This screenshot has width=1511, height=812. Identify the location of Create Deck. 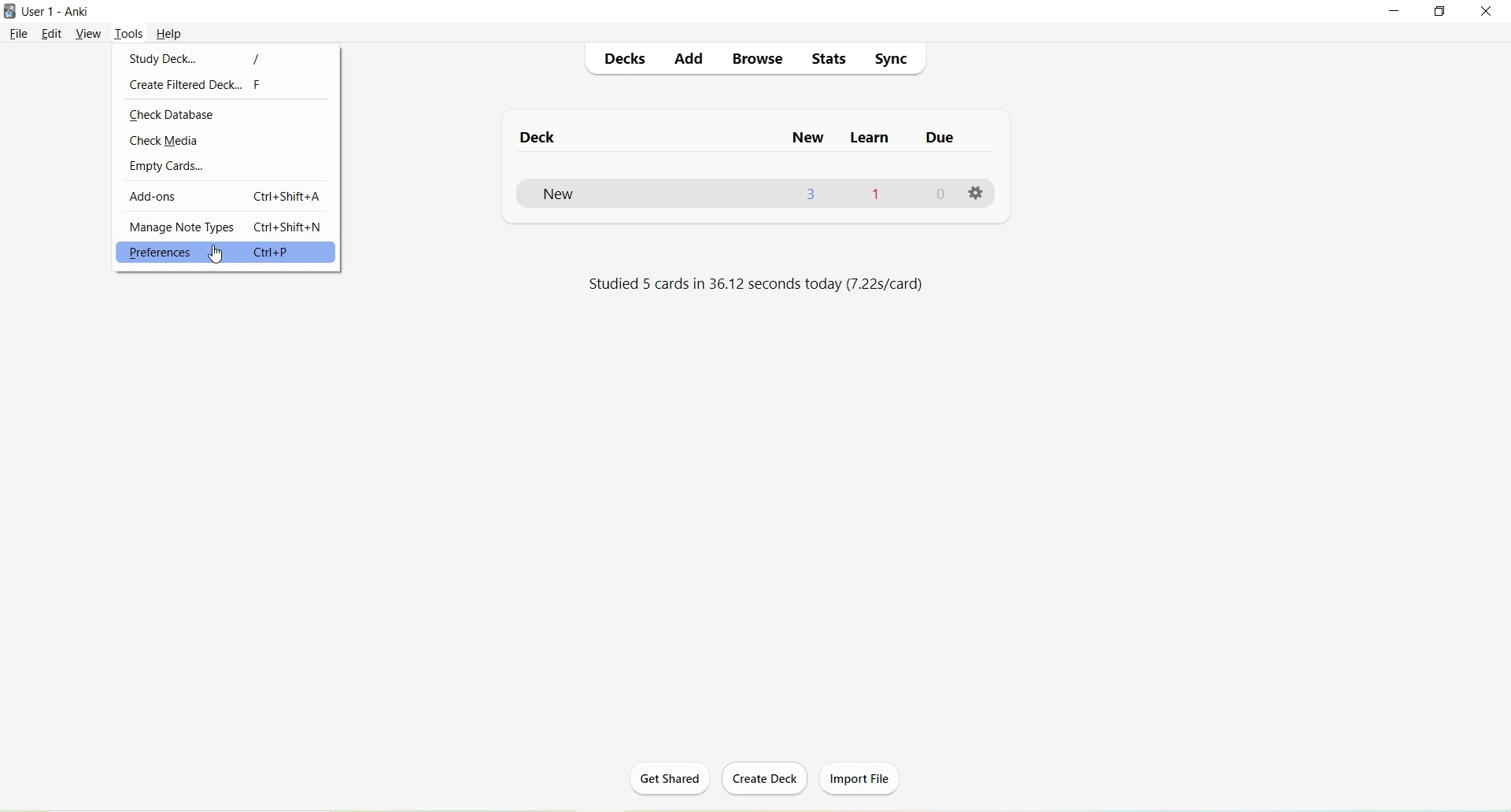
(768, 780).